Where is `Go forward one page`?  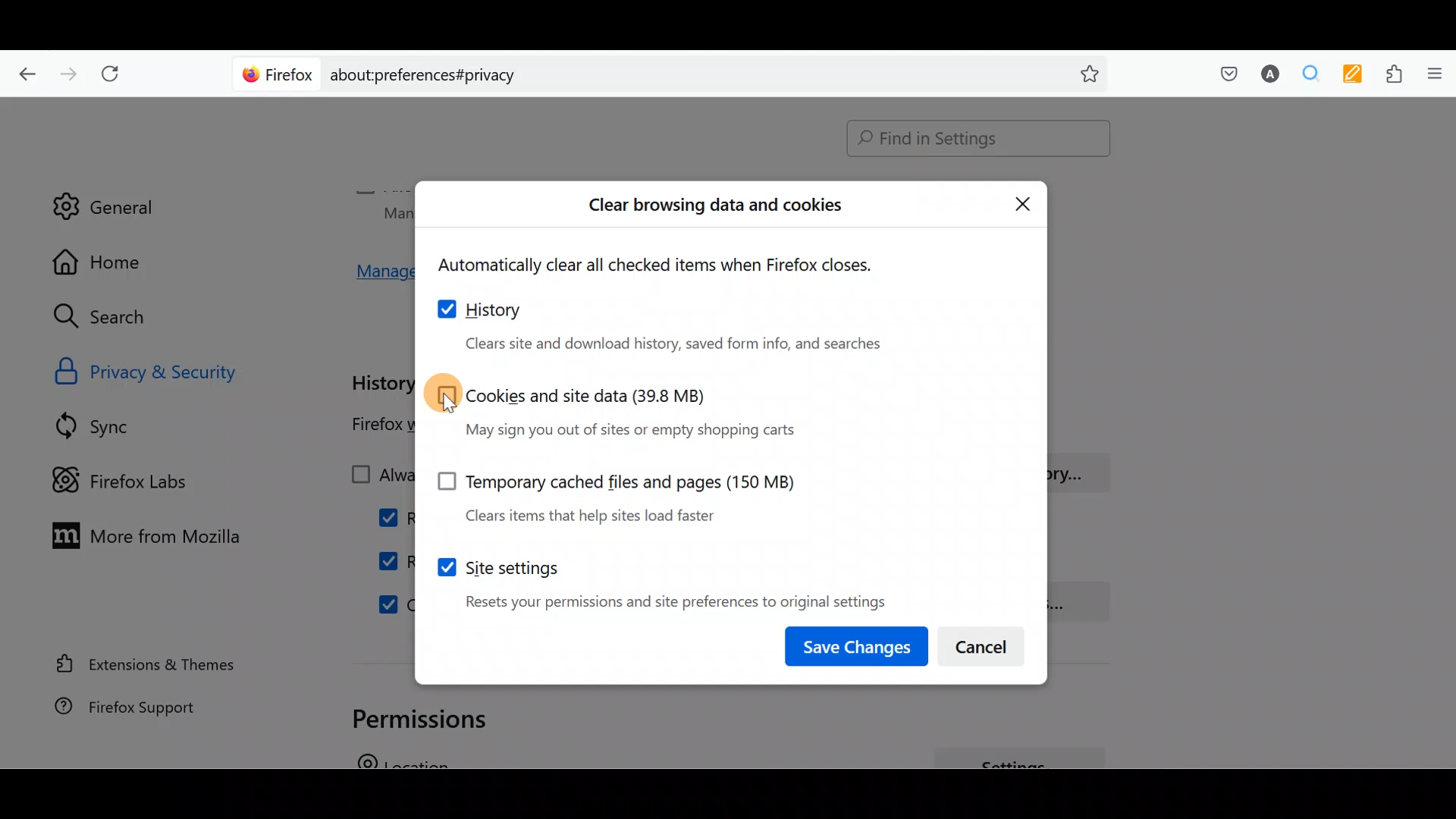
Go forward one page is located at coordinates (67, 70).